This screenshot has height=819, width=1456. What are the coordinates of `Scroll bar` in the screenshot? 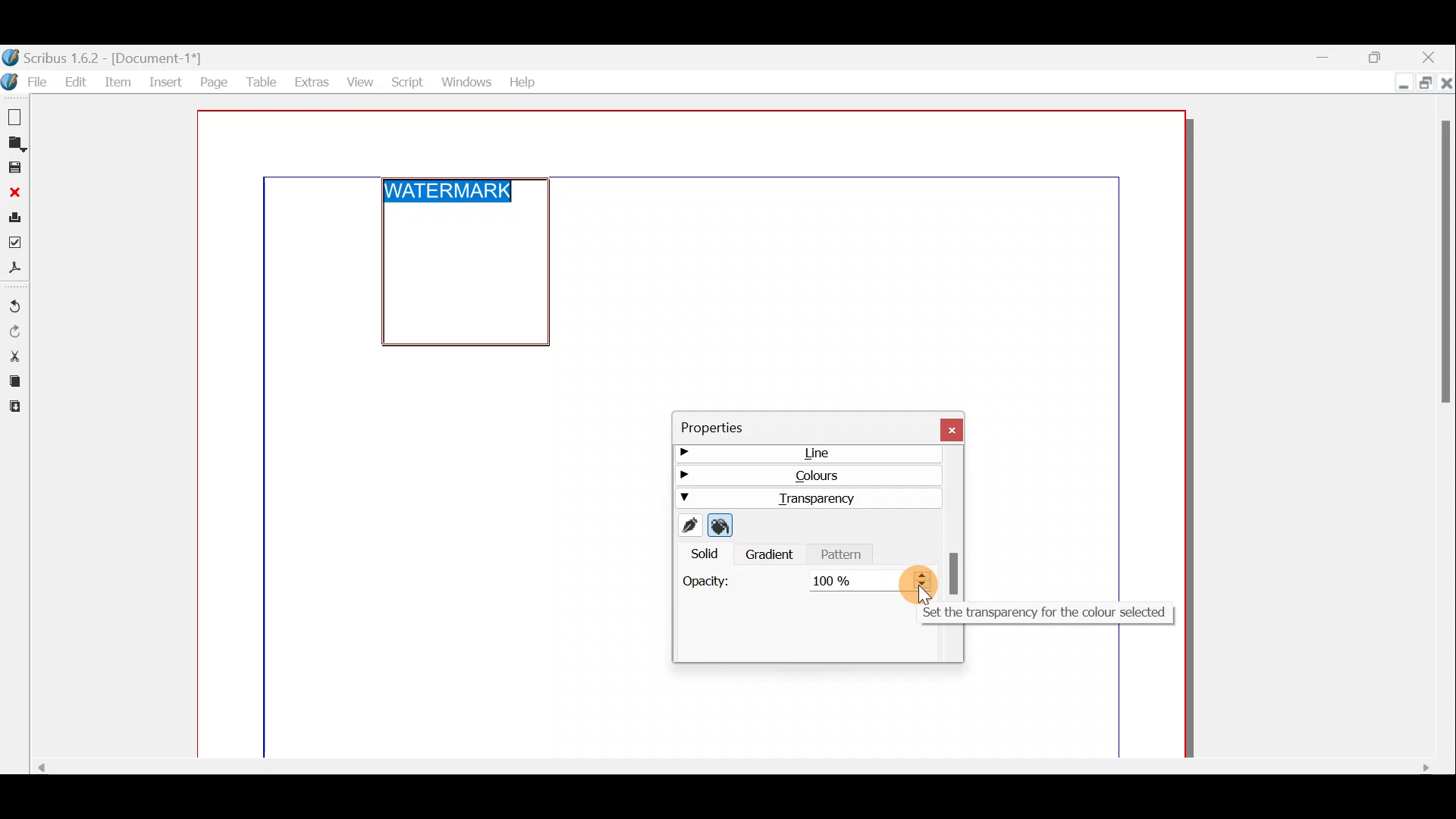 It's located at (956, 573).